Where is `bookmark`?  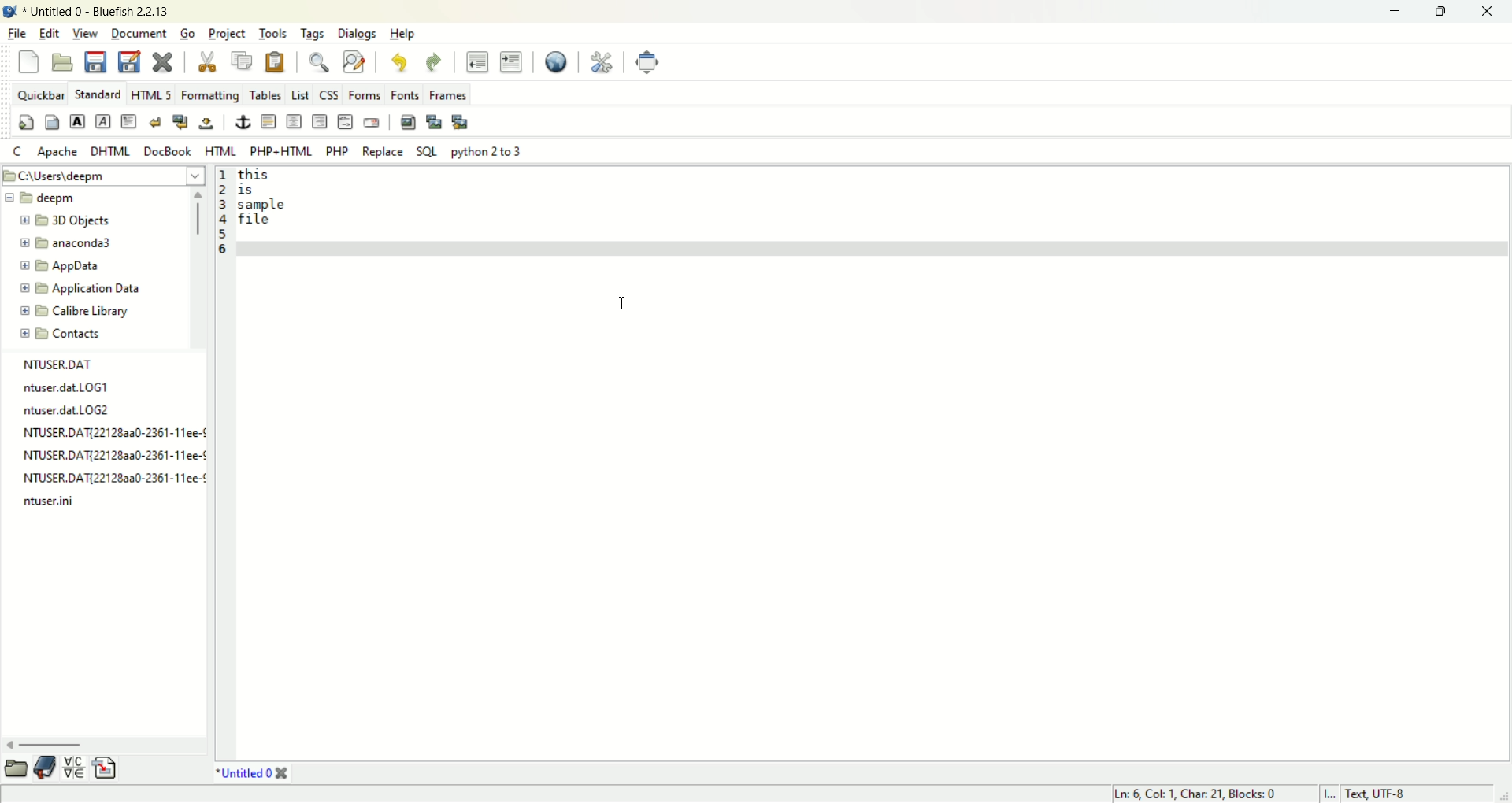
bookmark is located at coordinates (46, 768).